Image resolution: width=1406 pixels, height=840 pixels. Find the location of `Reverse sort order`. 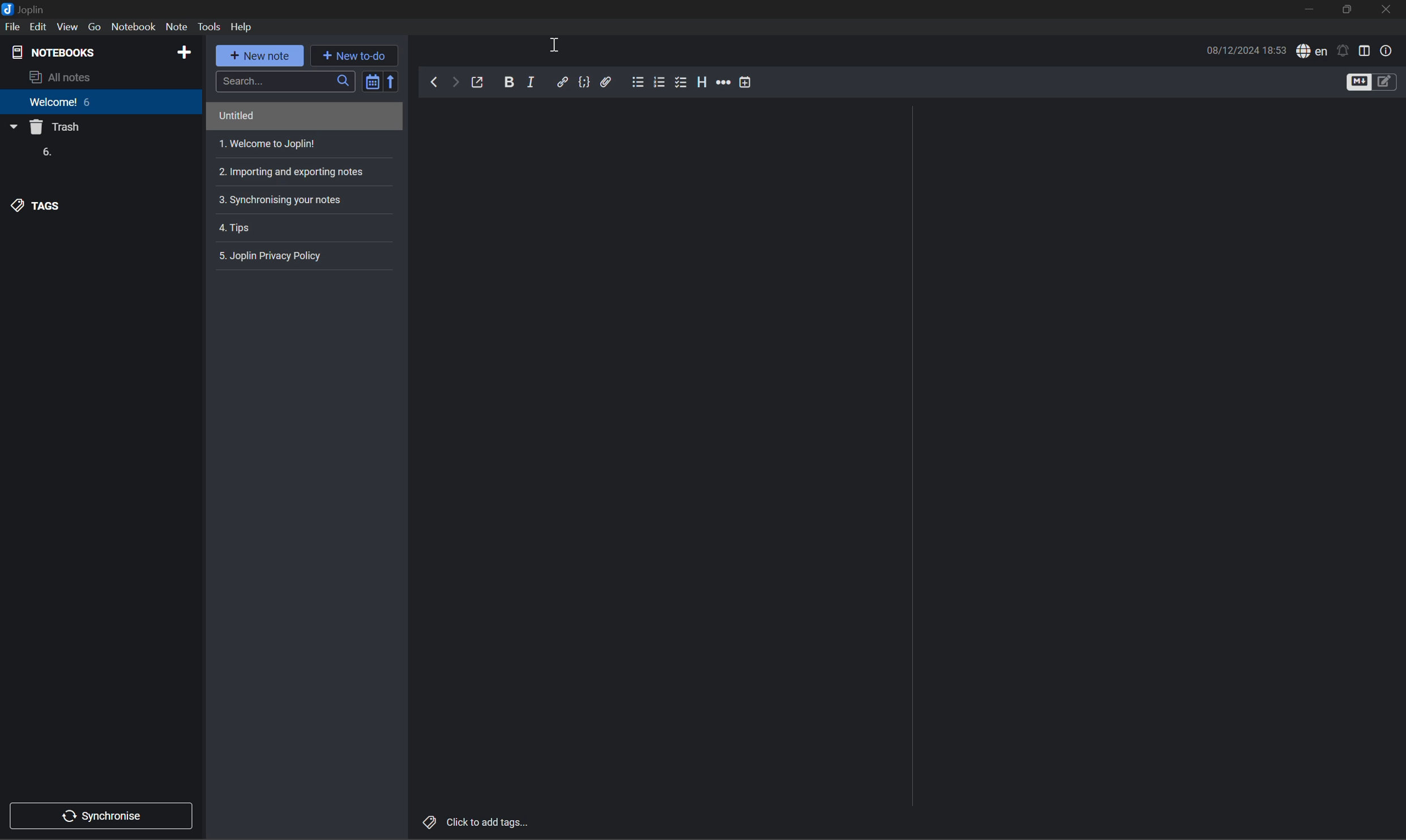

Reverse sort order is located at coordinates (394, 81).